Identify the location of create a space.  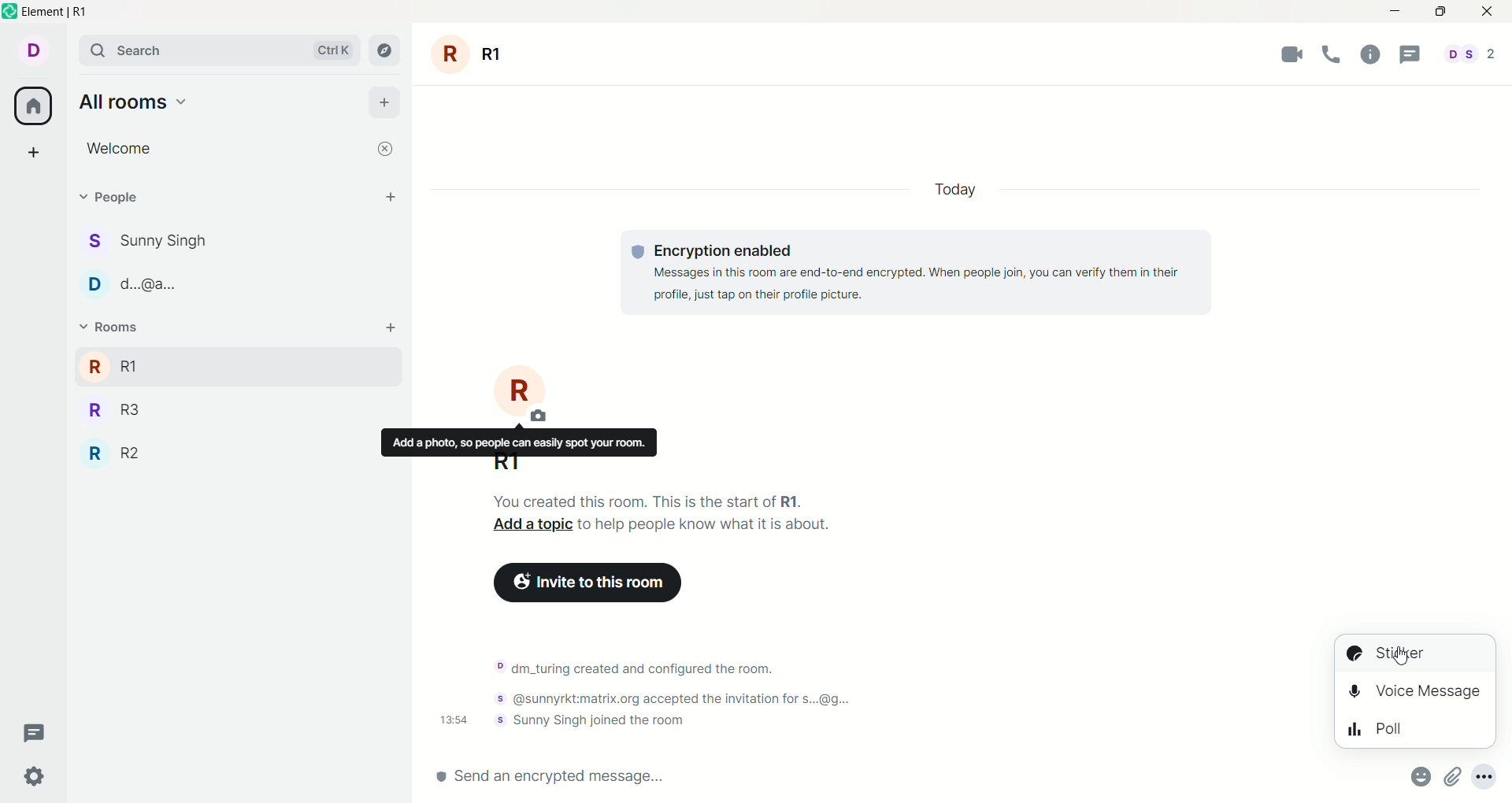
(34, 152).